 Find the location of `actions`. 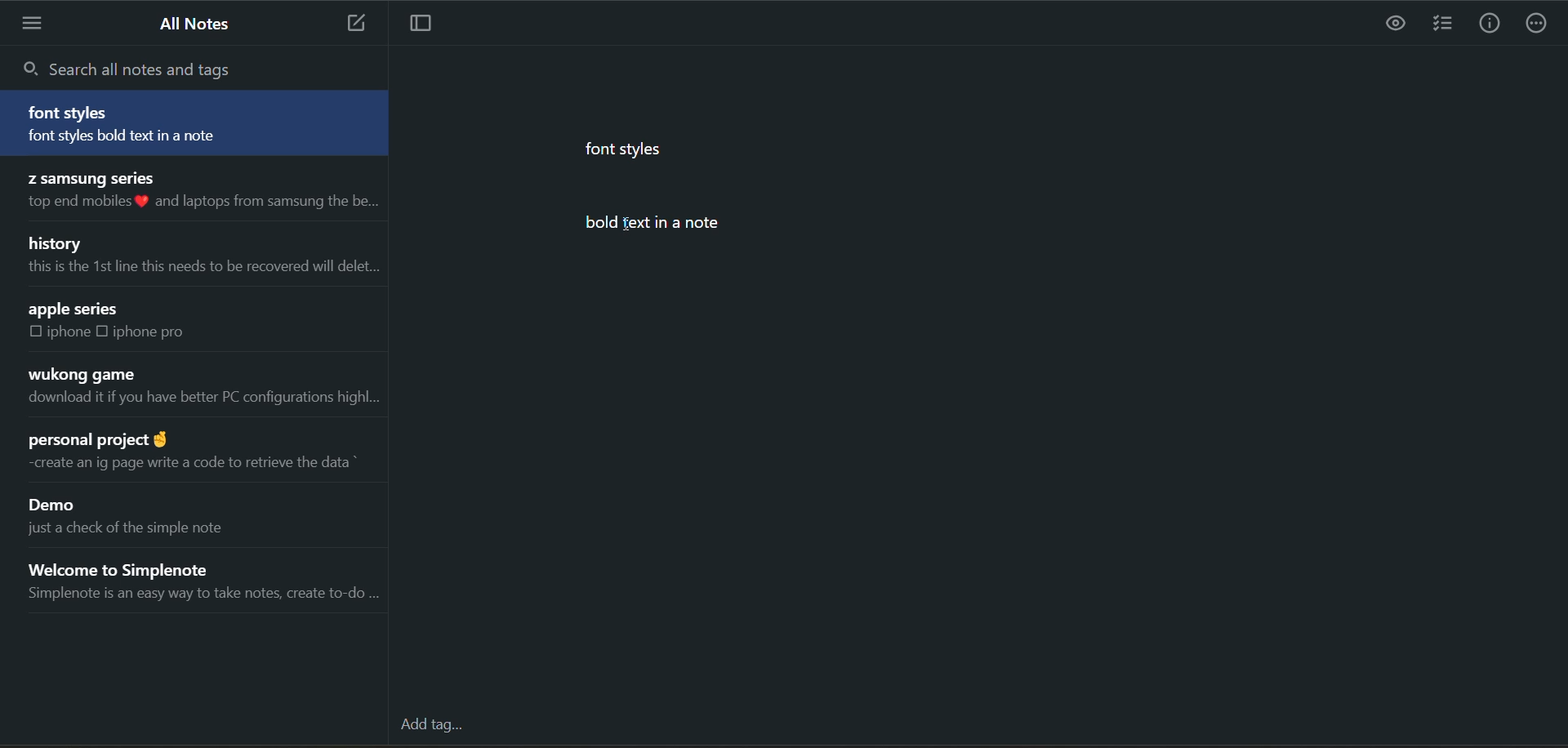

actions is located at coordinates (1537, 26).